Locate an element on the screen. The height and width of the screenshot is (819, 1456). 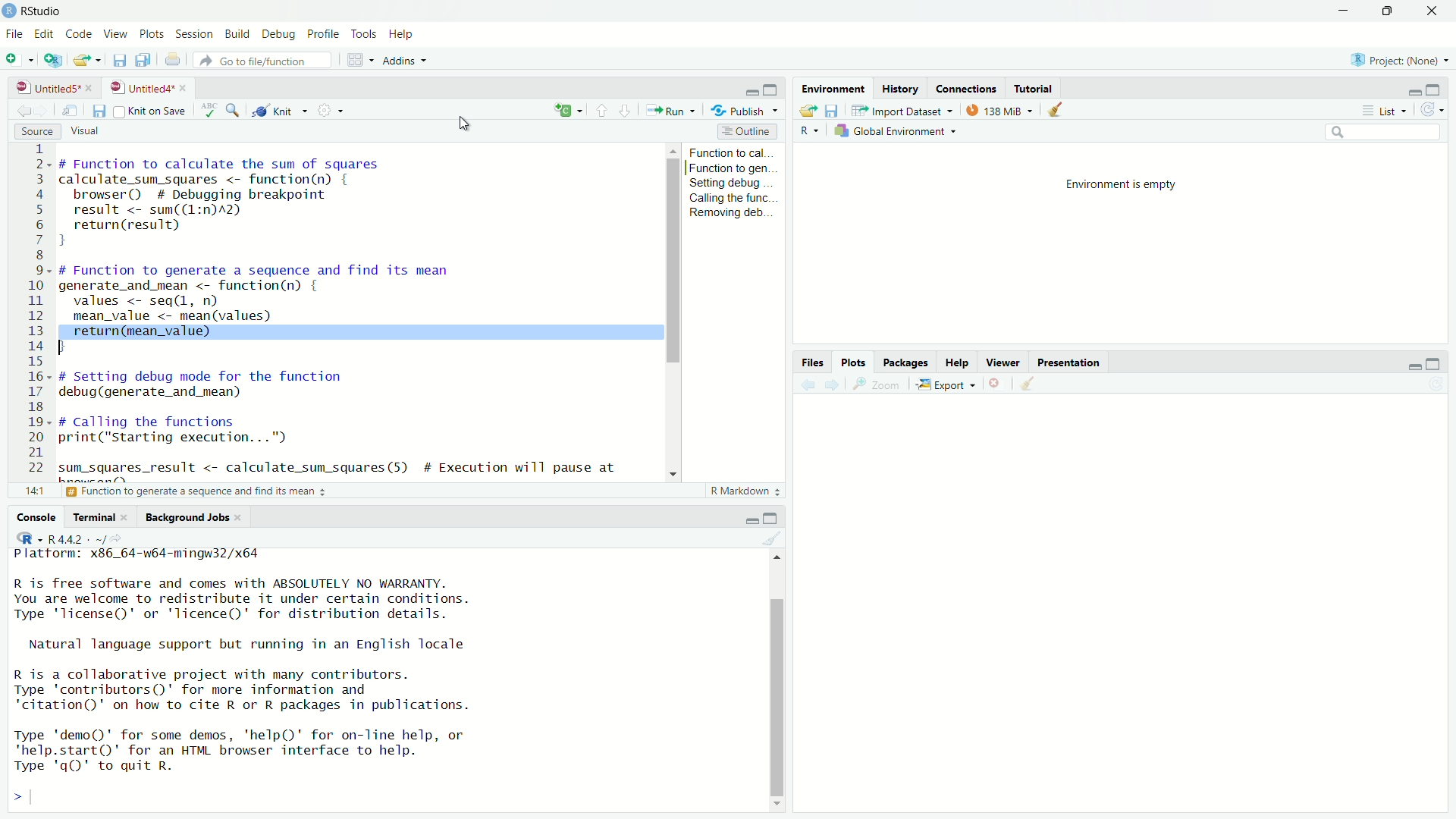
plots is located at coordinates (857, 362).